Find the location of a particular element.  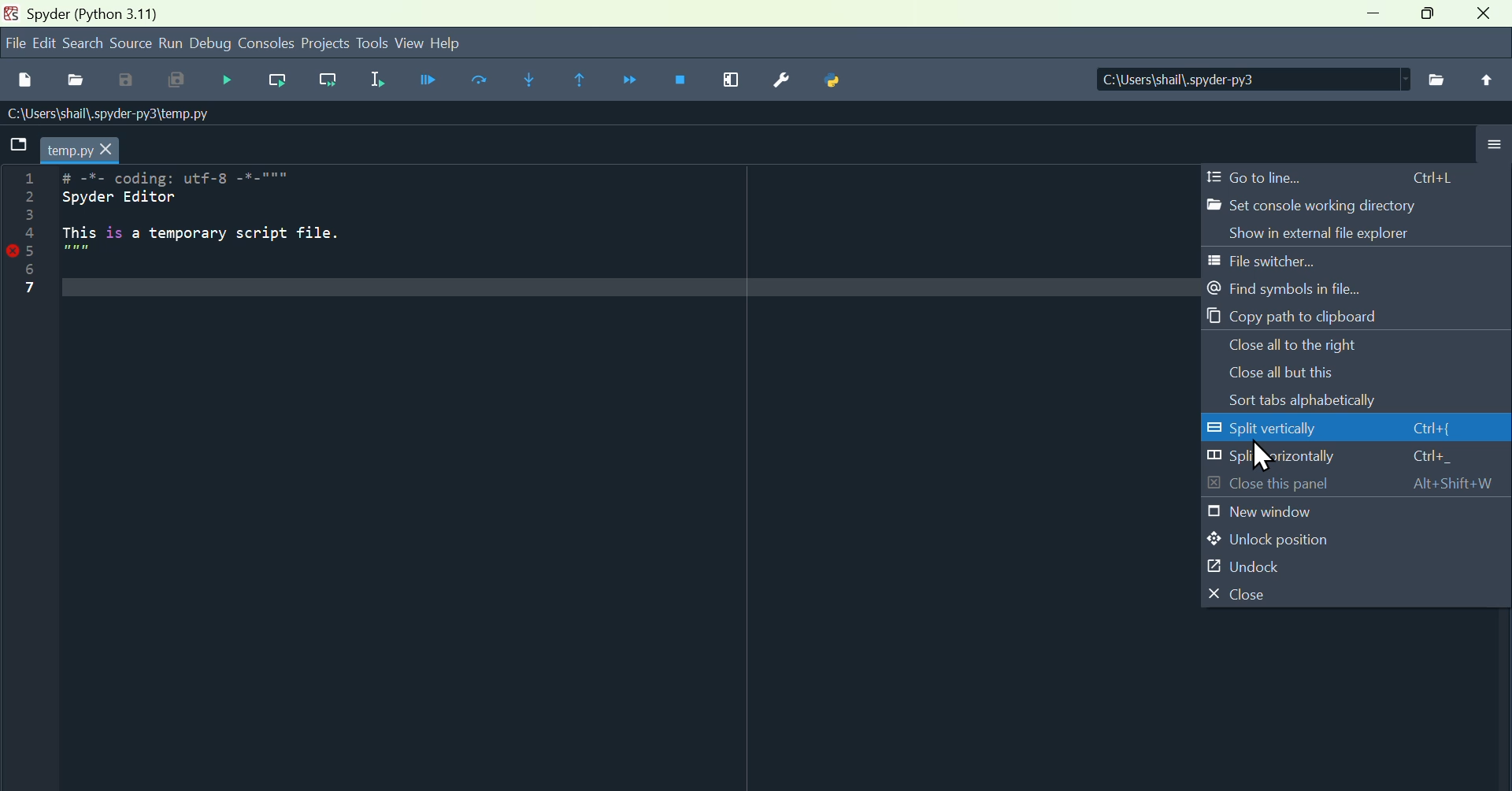

Projects is located at coordinates (324, 46).